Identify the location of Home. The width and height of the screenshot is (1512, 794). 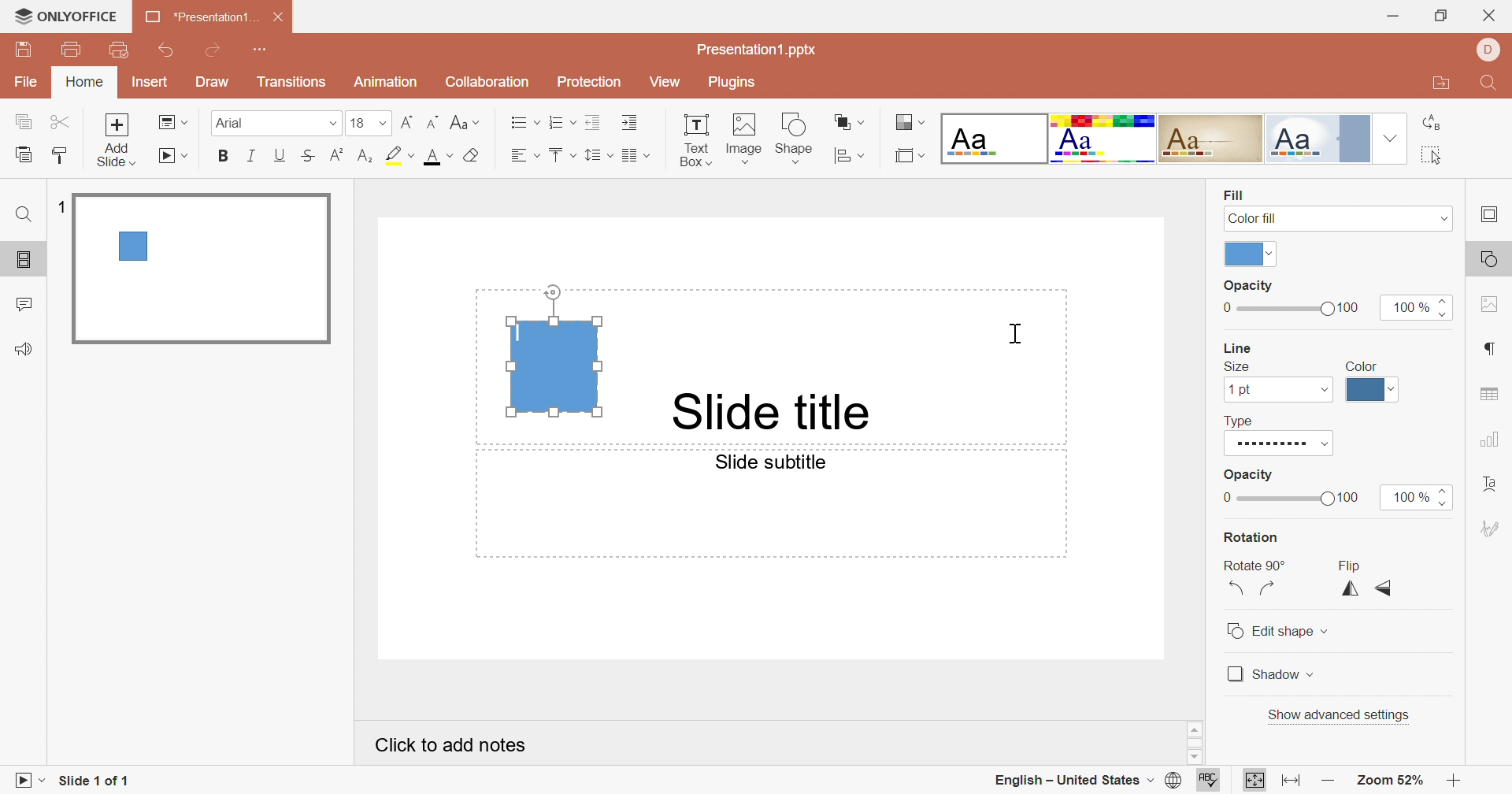
(84, 83).